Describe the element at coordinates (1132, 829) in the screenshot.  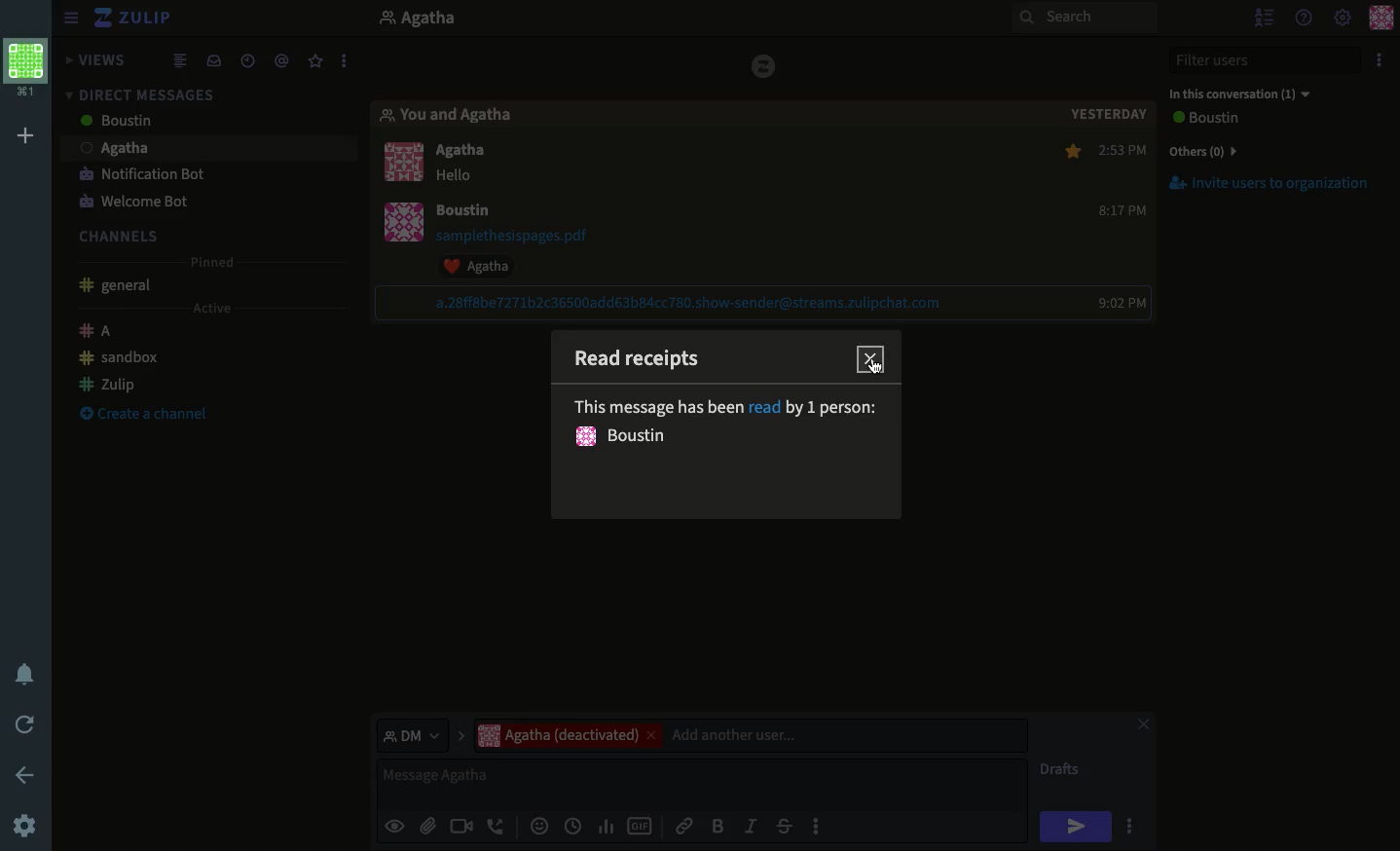
I see `options` at that location.